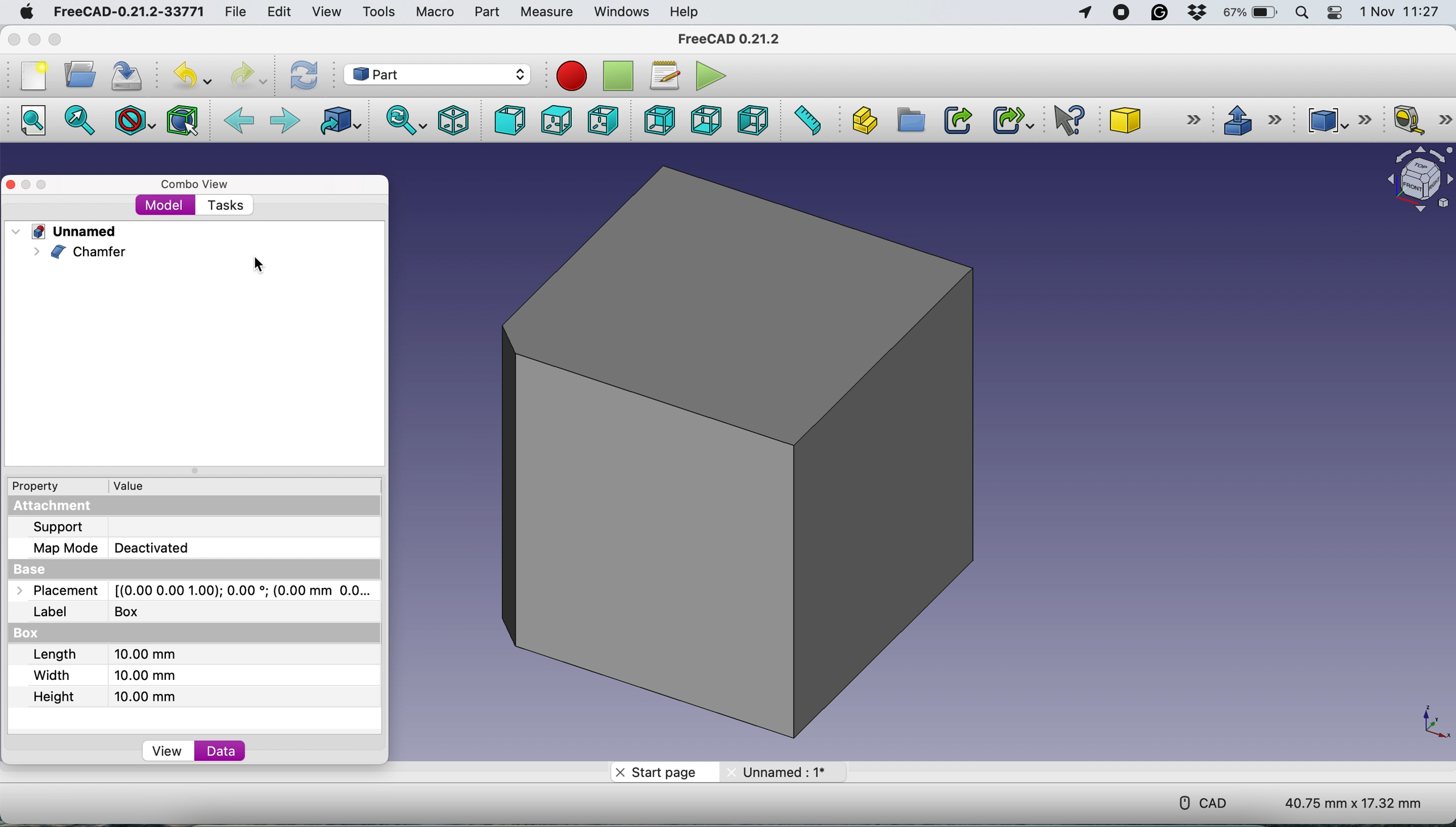 The image size is (1456, 827). Describe the element at coordinates (656, 120) in the screenshot. I see `rear` at that location.